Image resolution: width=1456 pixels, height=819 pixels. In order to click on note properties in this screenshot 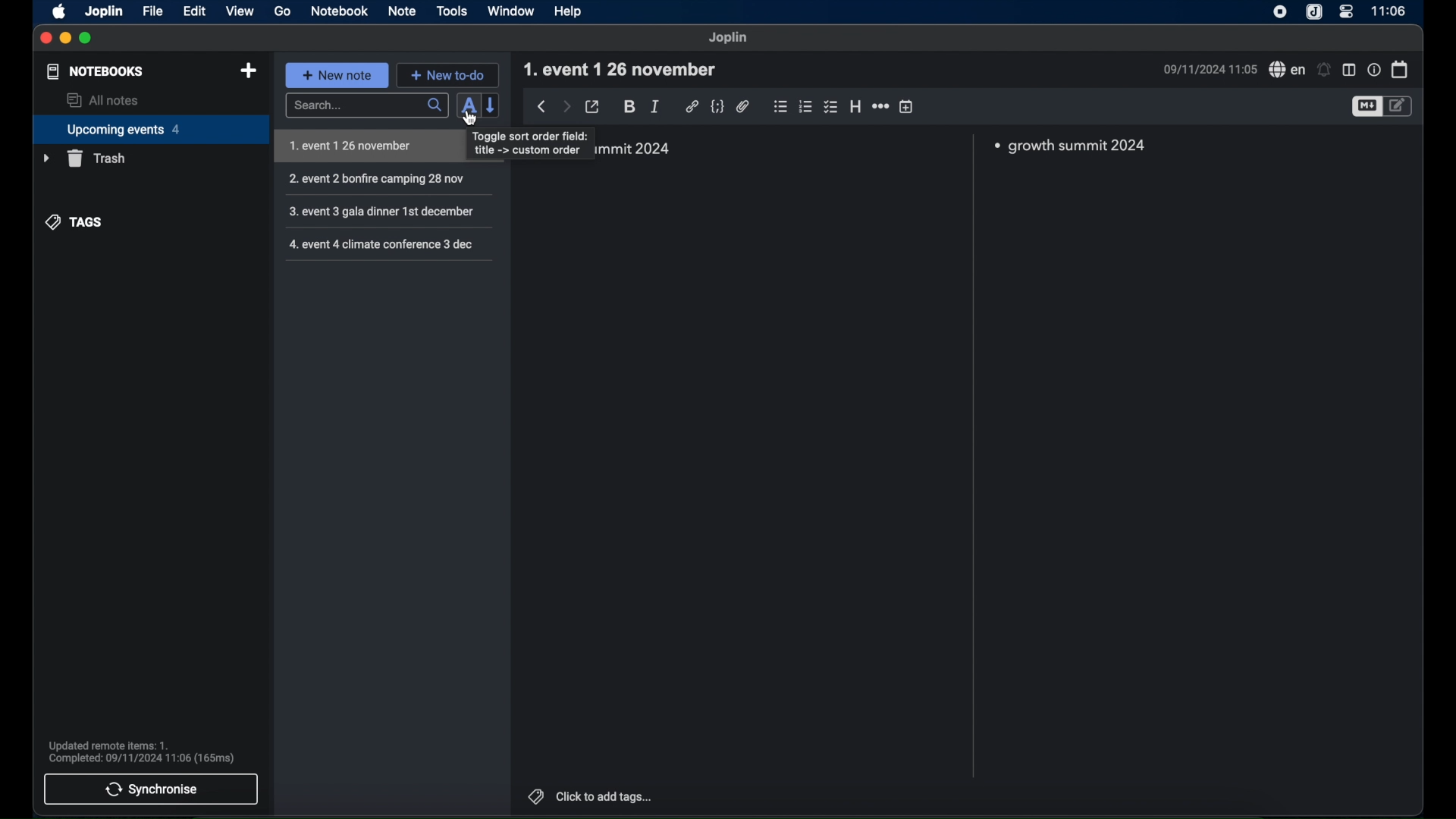, I will do `click(1373, 70)`.